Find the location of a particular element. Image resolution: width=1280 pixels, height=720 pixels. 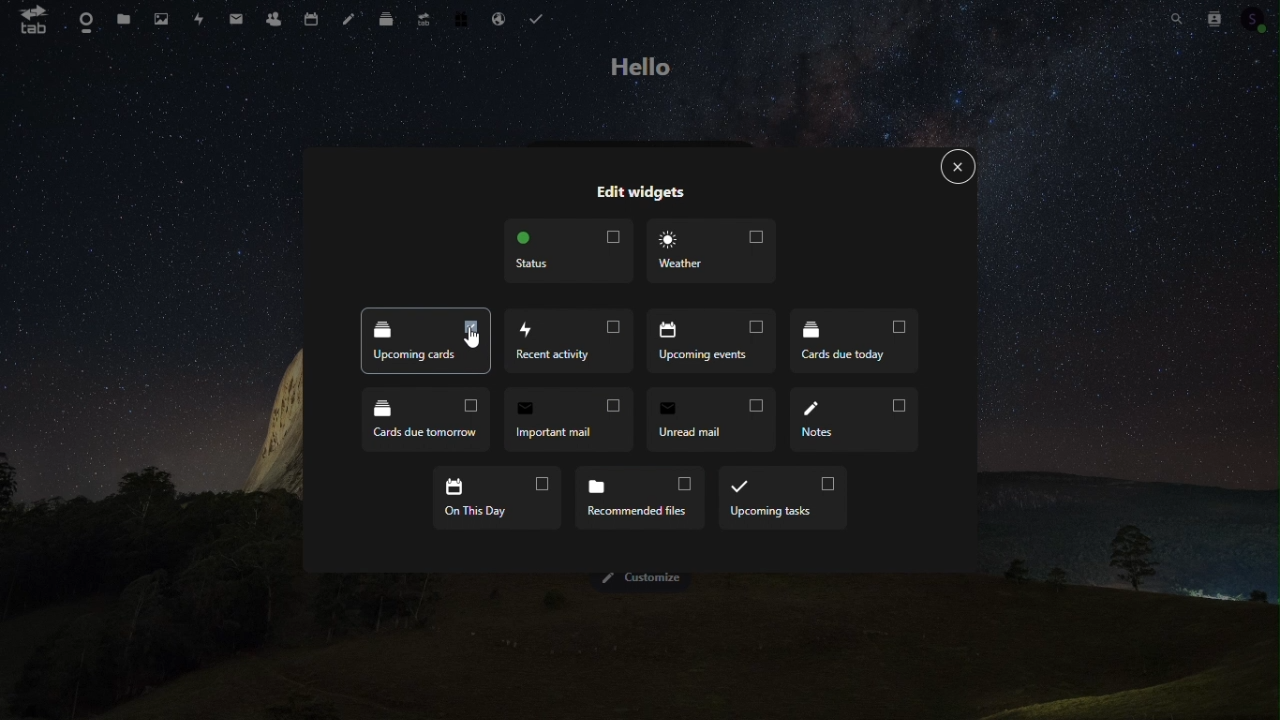

Activity is located at coordinates (202, 17).